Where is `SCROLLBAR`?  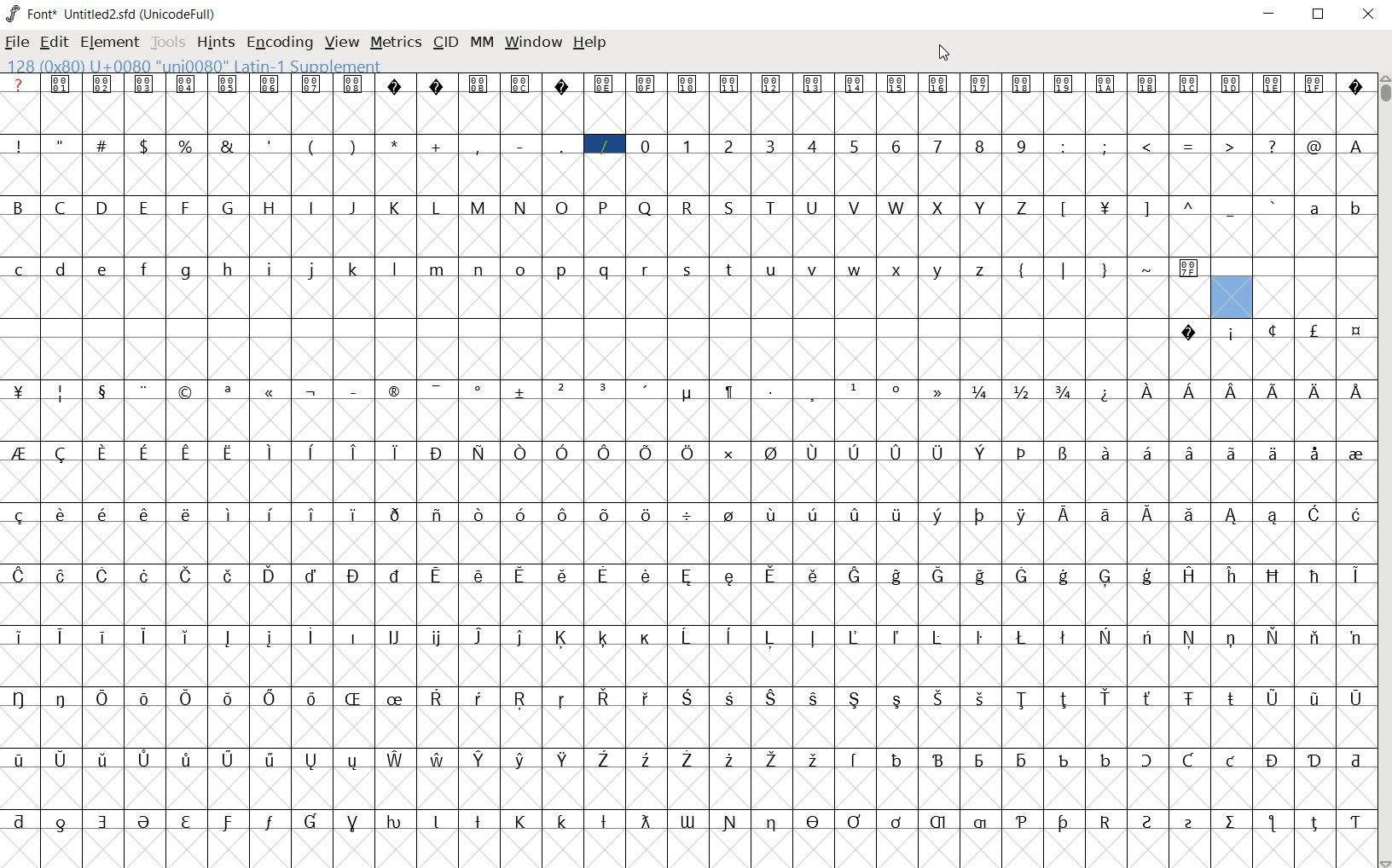
SCROLLBAR is located at coordinates (1383, 472).